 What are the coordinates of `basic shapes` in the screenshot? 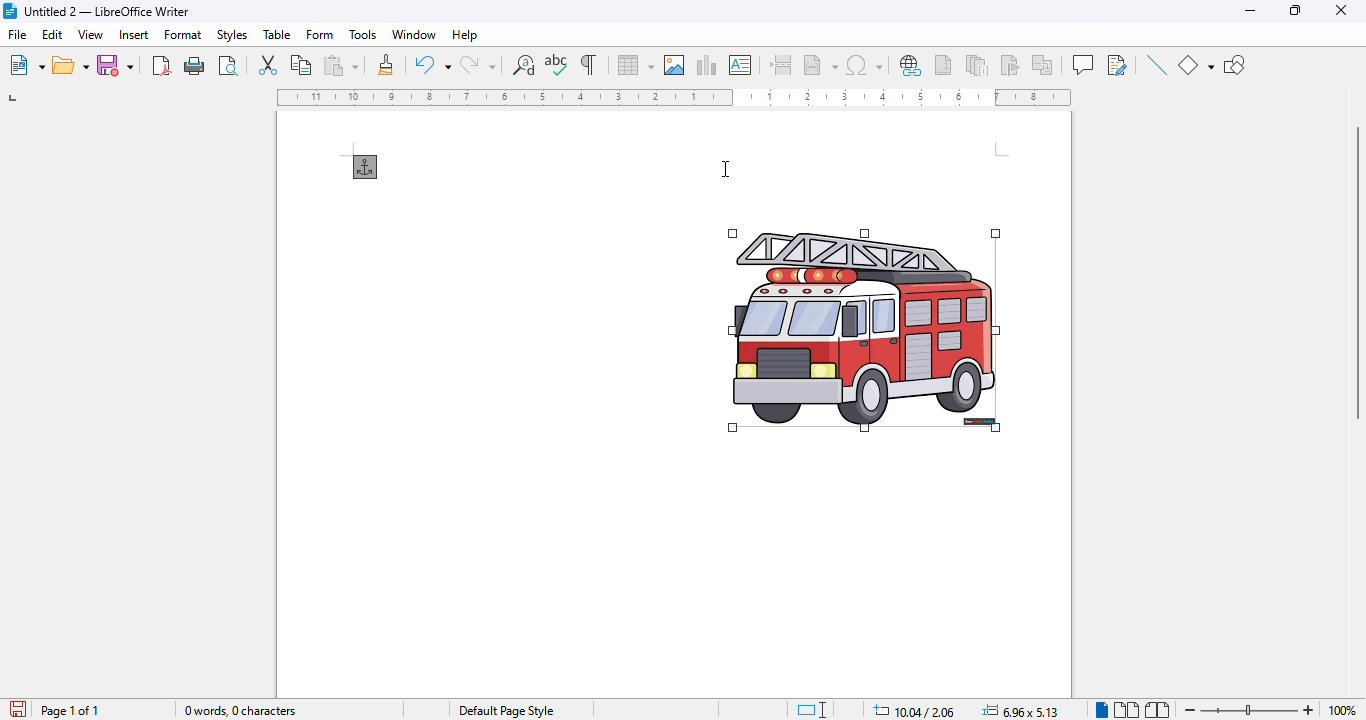 It's located at (1195, 65).